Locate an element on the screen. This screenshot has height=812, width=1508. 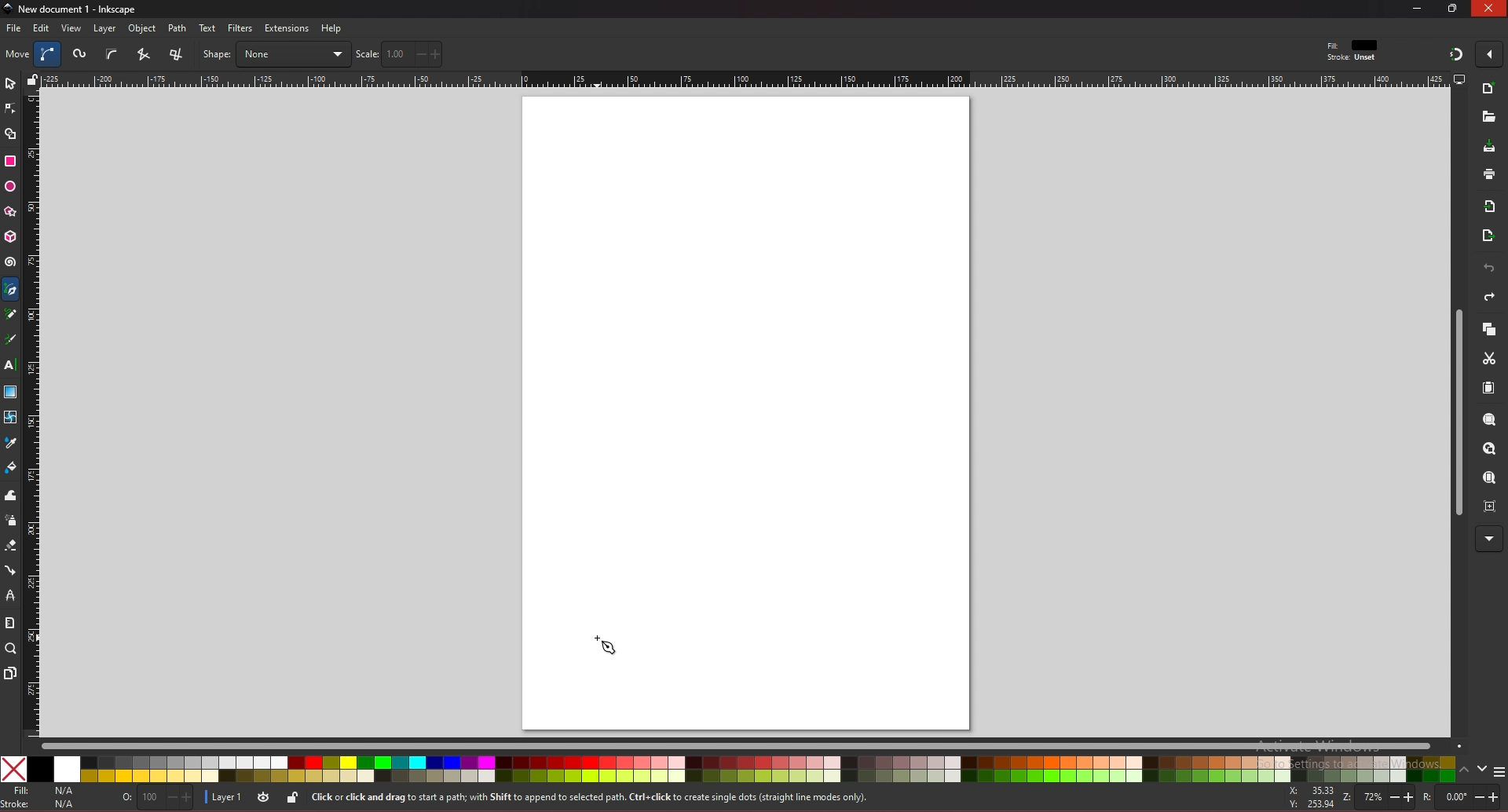
tweak is located at coordinates (11, 495).